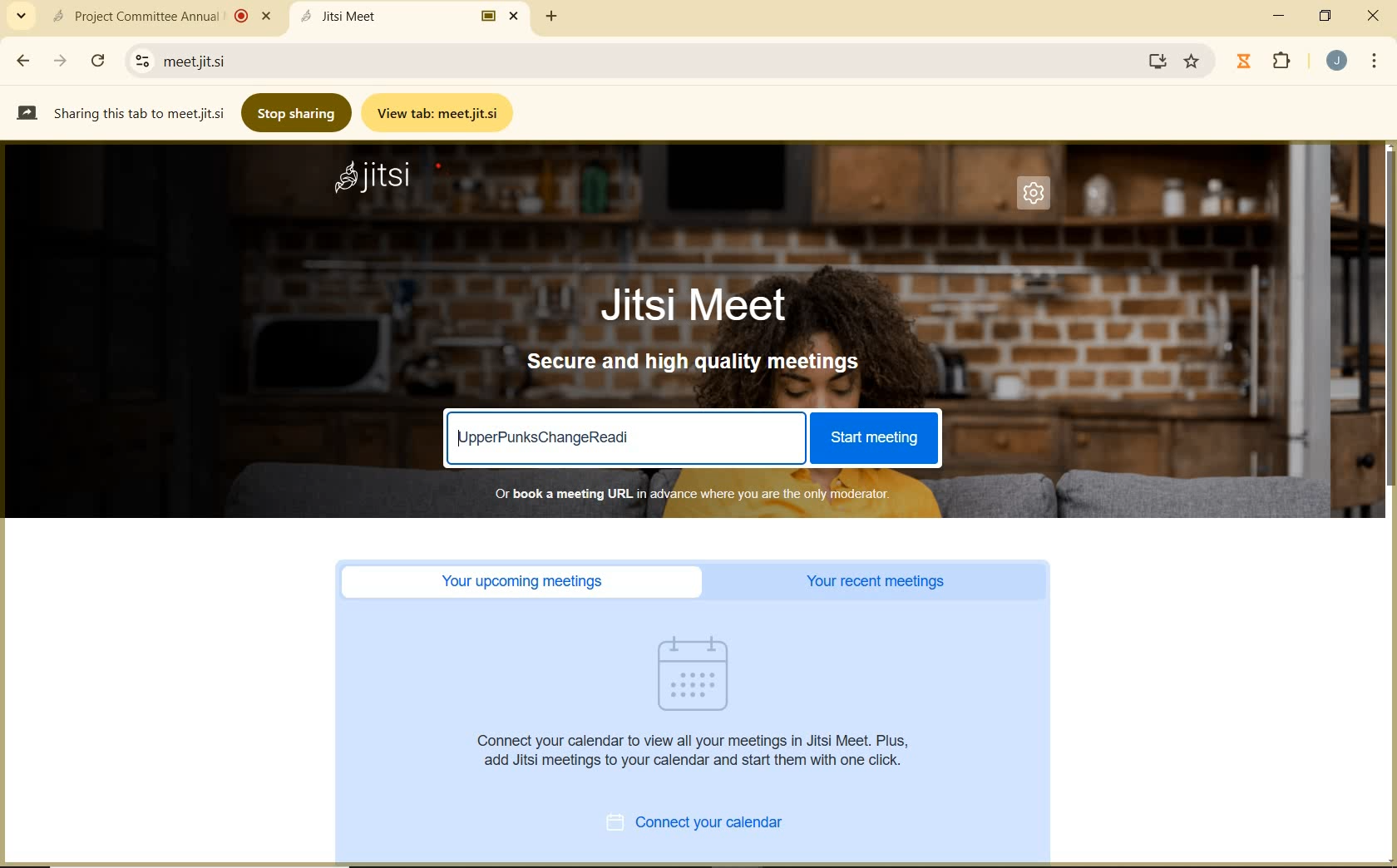  I want to click on close, so click(1376, 15).